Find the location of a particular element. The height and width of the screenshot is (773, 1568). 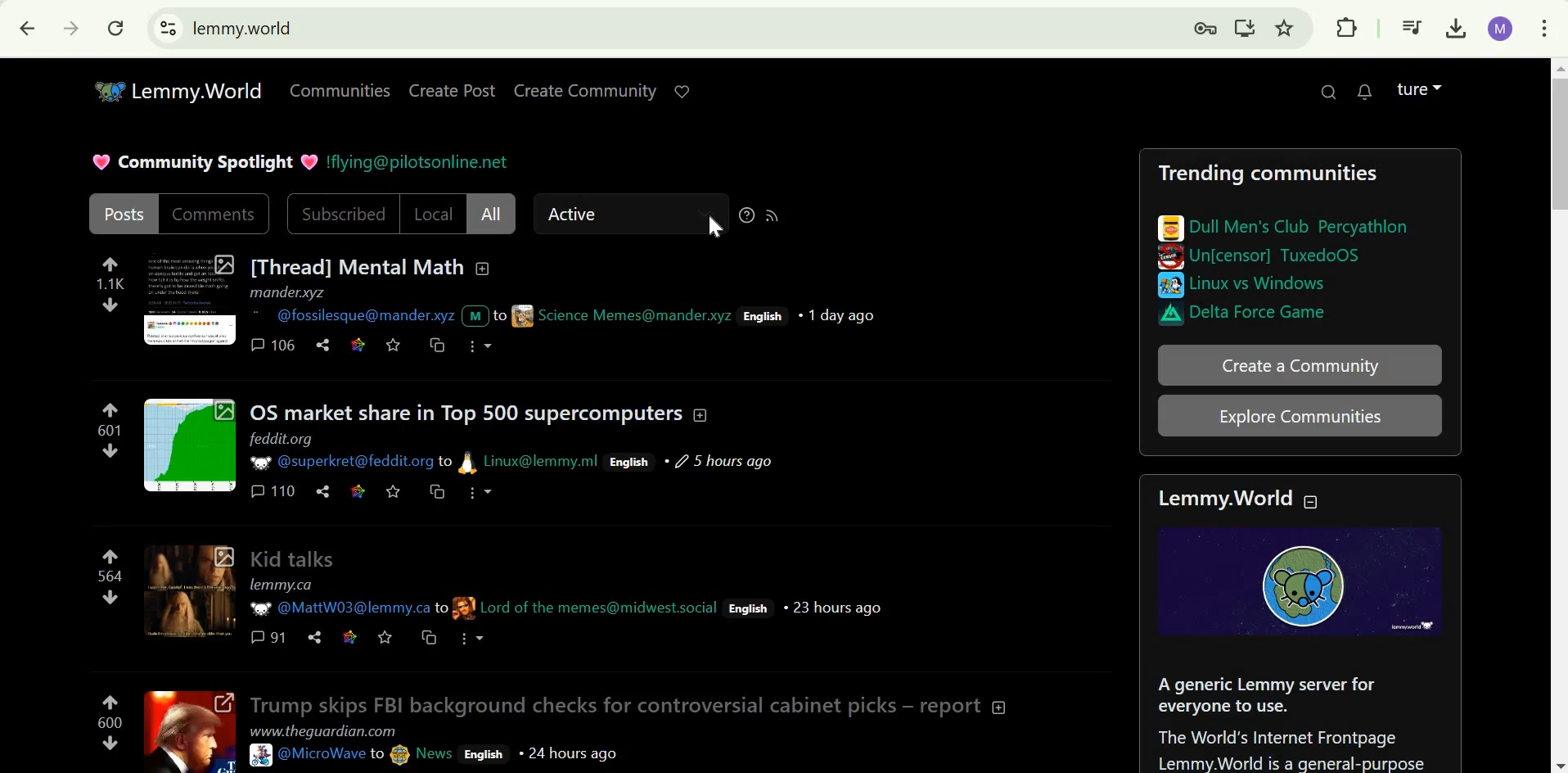

upvote is located at coordinates (107, 264).